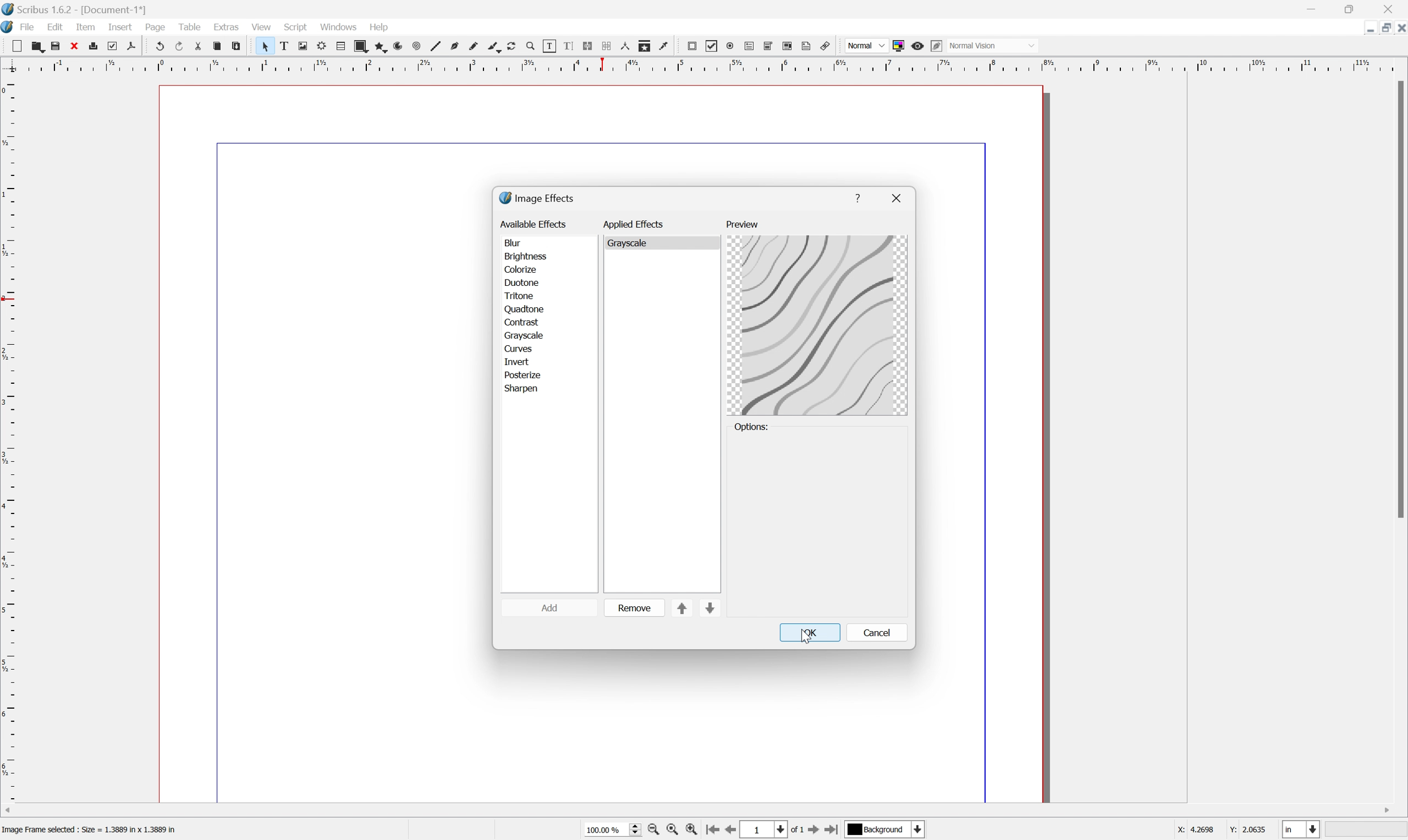 The width and height of the screenshot is (1408, 840). I want to click on Arc, so click(403, 48).